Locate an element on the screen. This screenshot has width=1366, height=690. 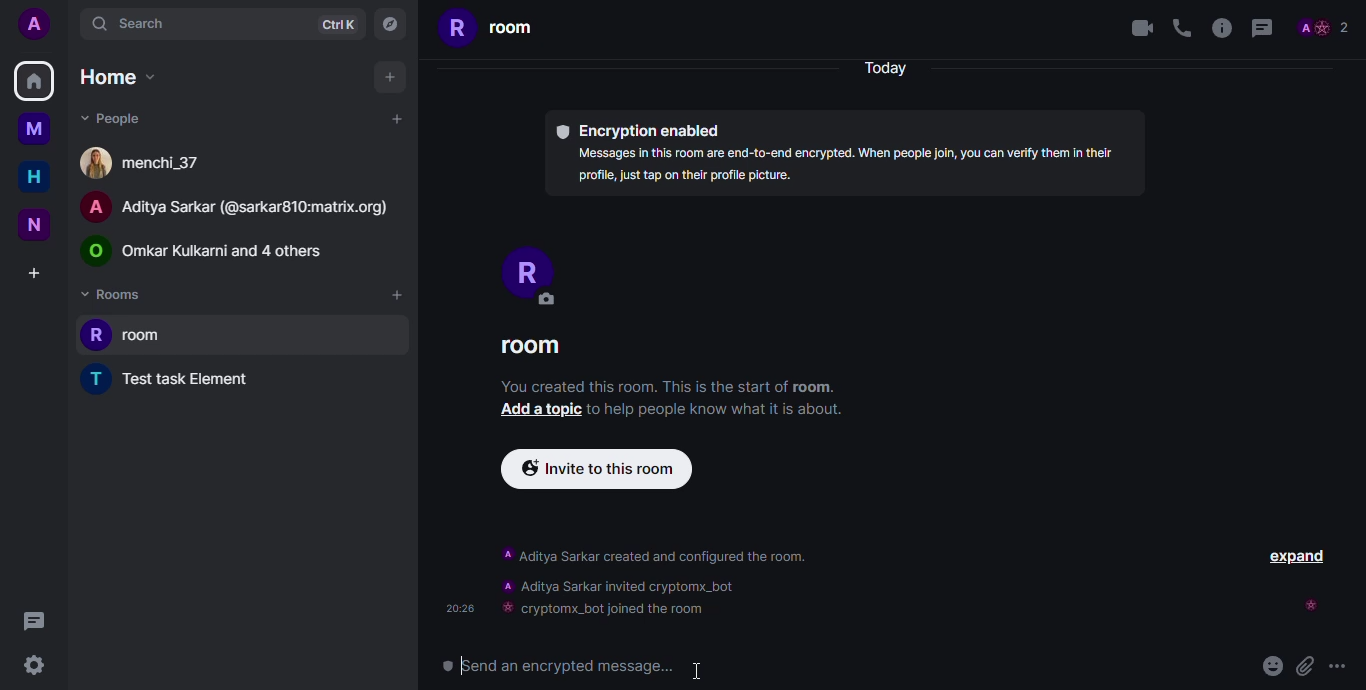
threads is located at coordinates (1270, 27).